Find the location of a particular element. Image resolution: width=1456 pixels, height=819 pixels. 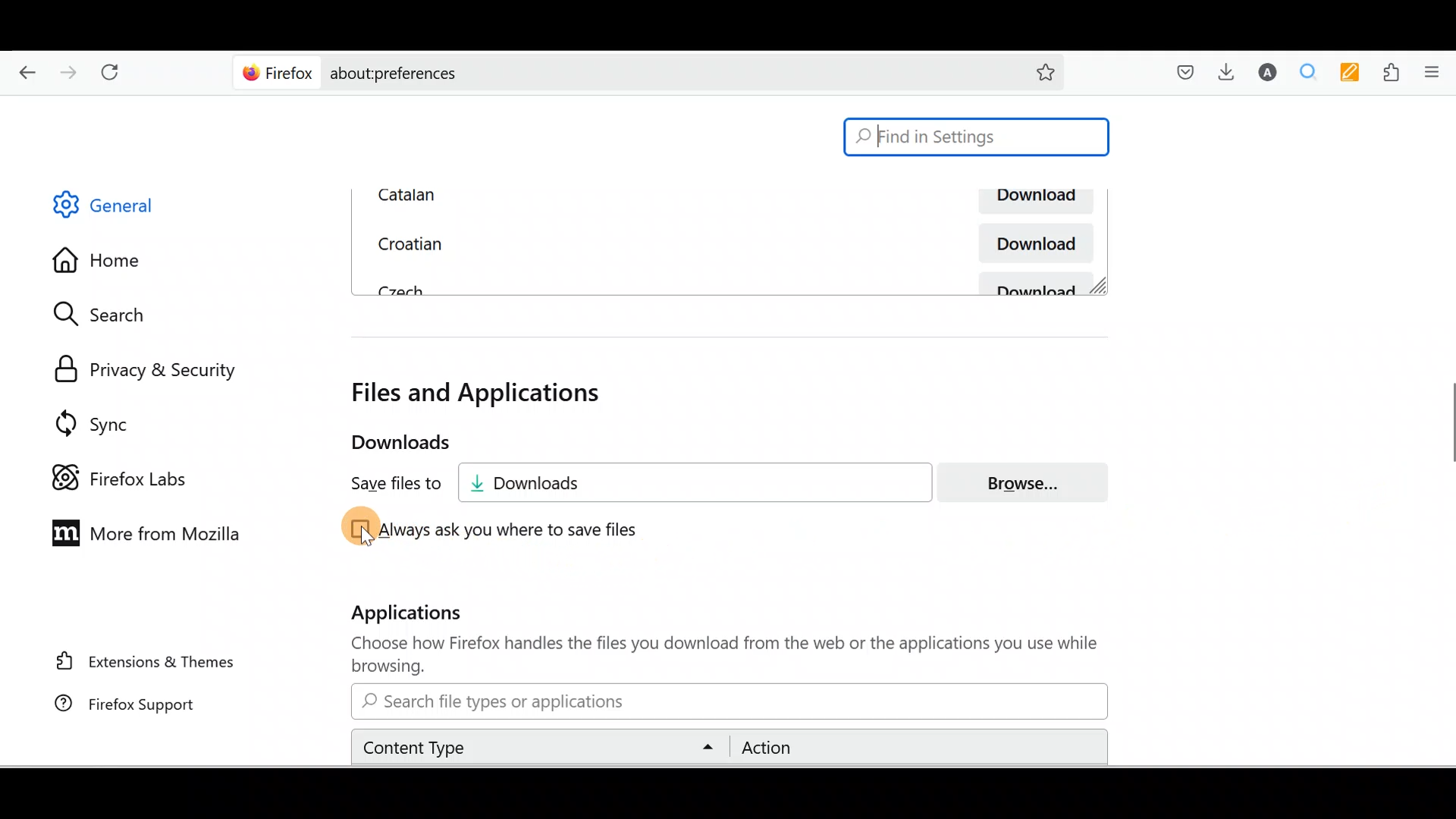

Czech is located at coordinates (397, 288).